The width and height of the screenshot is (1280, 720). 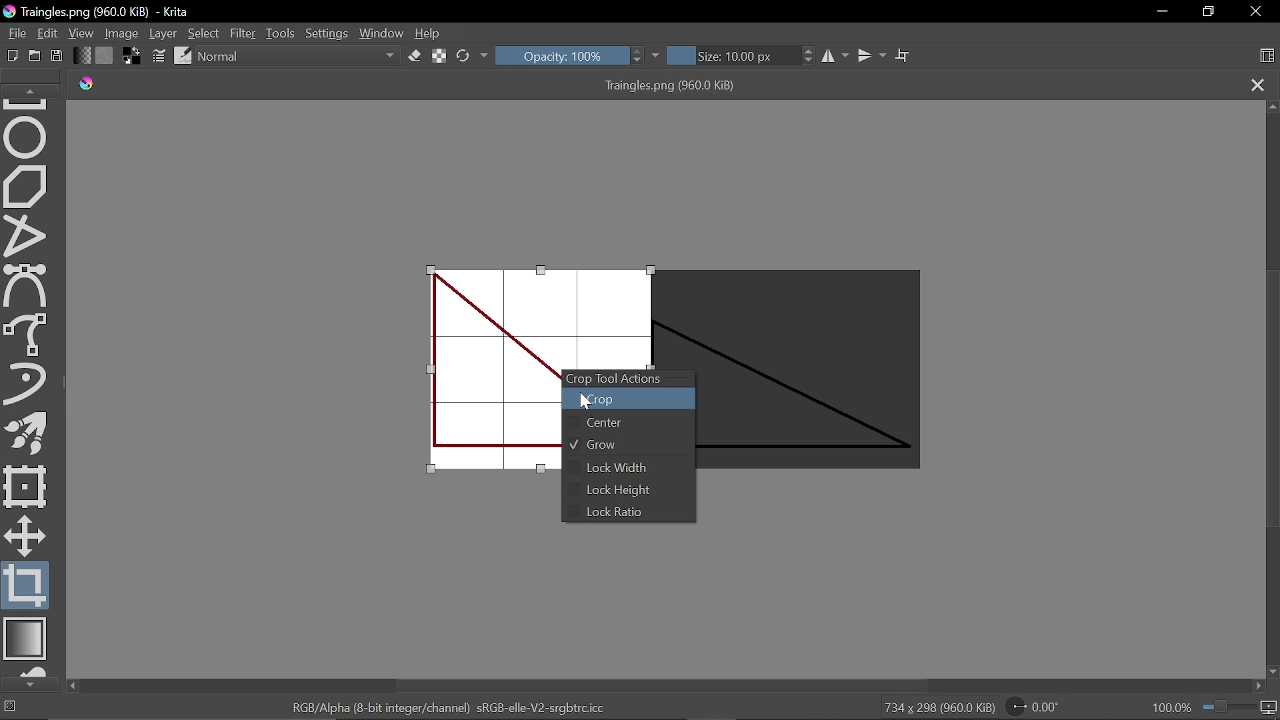 I want to click on Close tab, so click(x=1258, y=86).